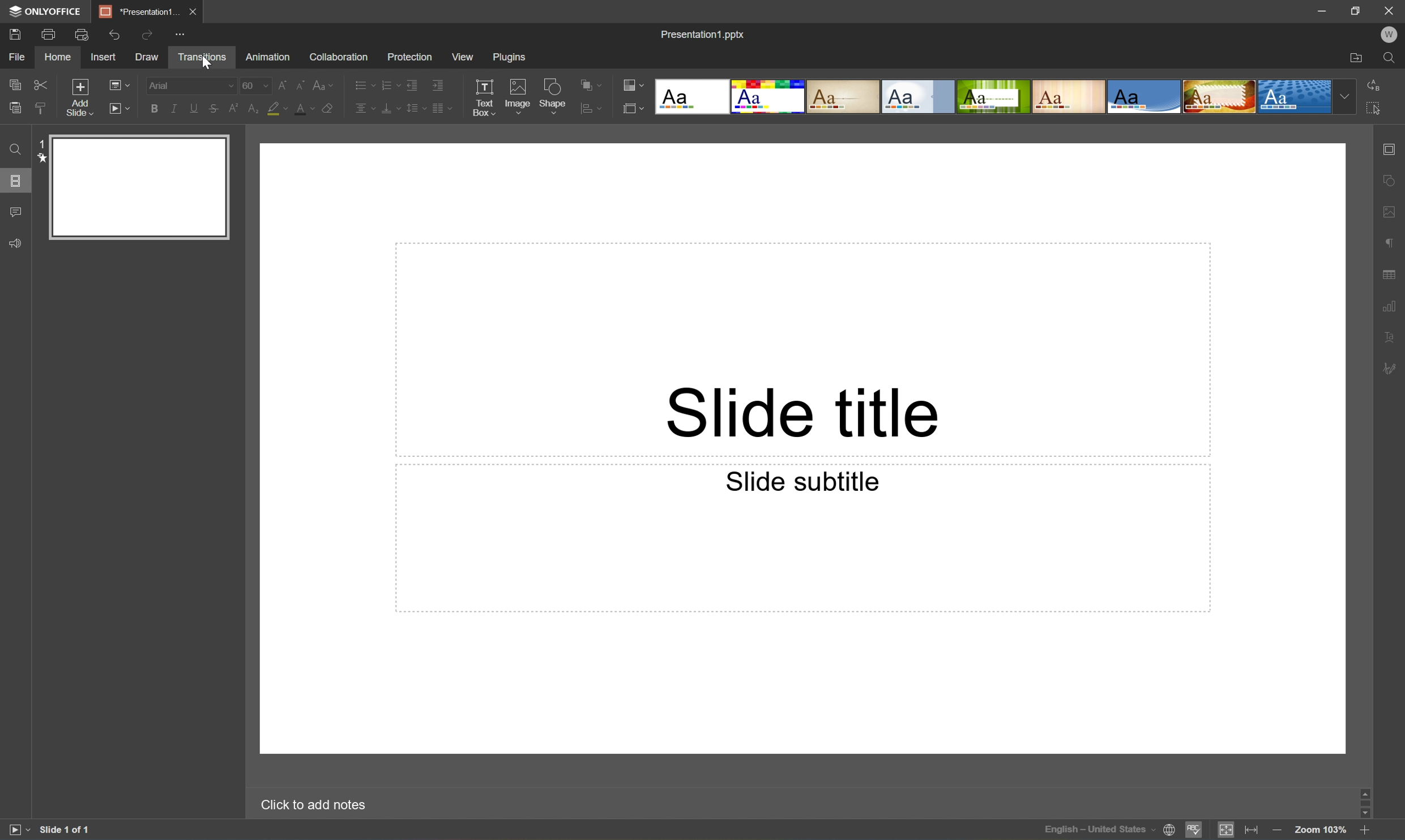  I want to click on Table settings, so click(1389, 273).